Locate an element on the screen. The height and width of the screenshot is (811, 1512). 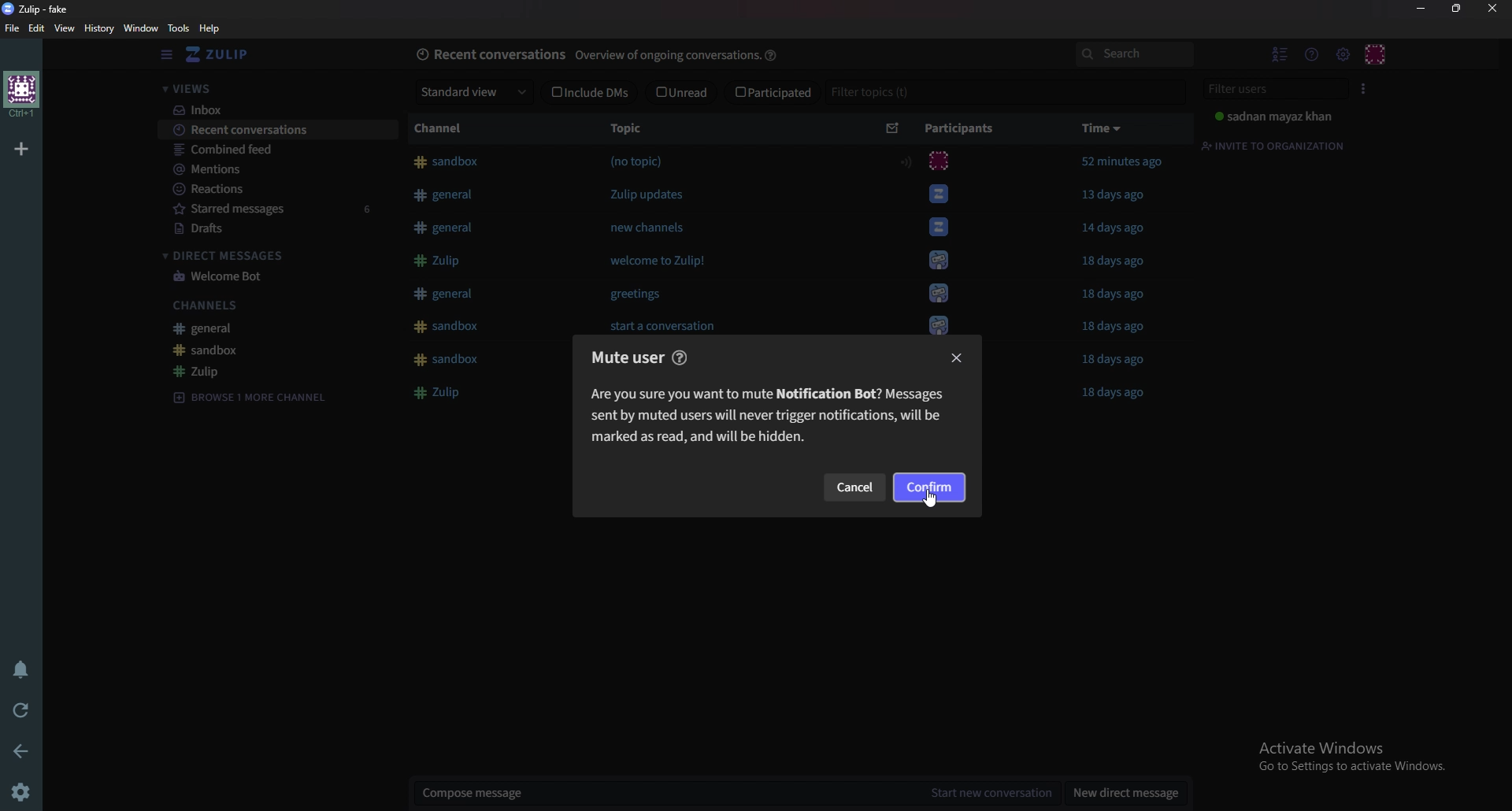
home is located at coordinates (23, 94).